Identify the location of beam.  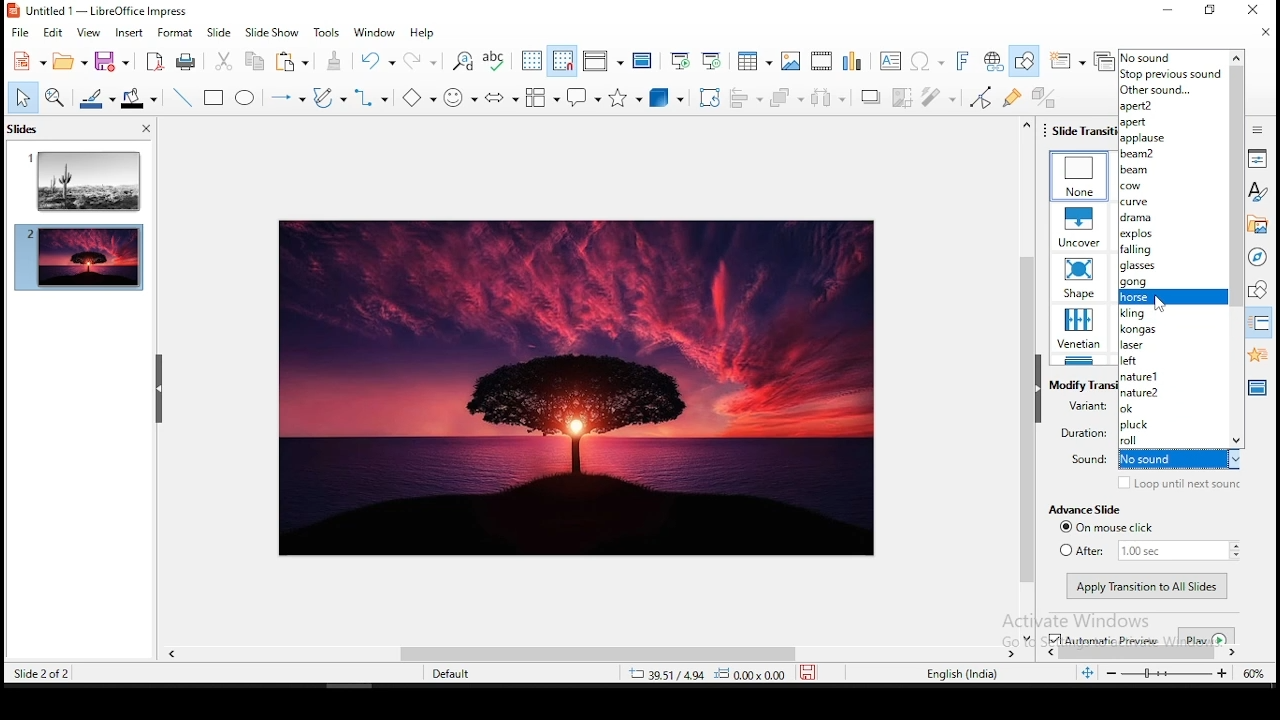
(1172, 170).